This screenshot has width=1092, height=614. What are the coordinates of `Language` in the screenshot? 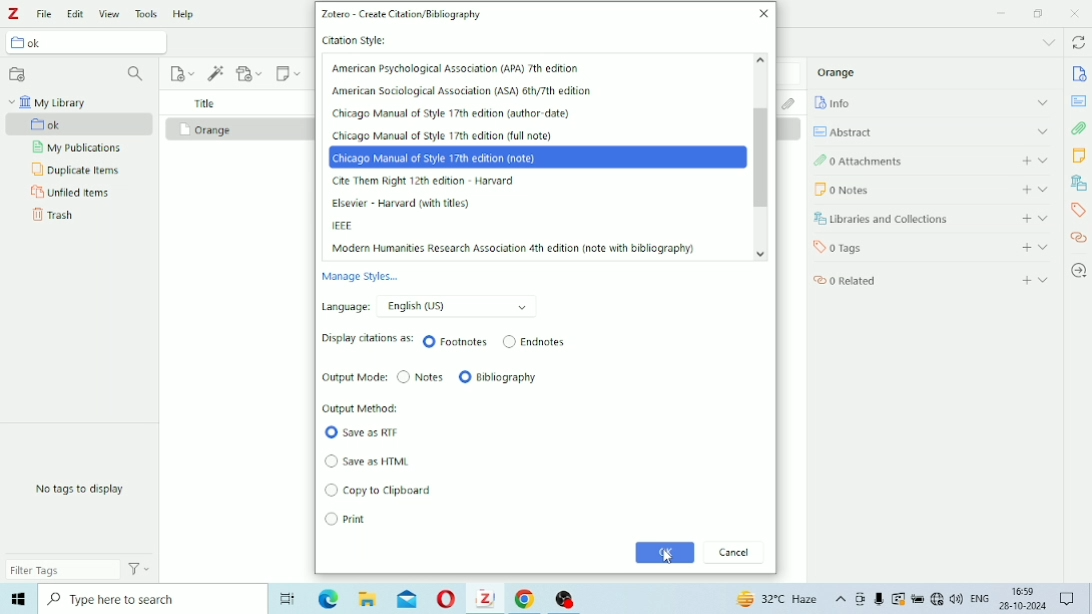 It's located at (433, 307).